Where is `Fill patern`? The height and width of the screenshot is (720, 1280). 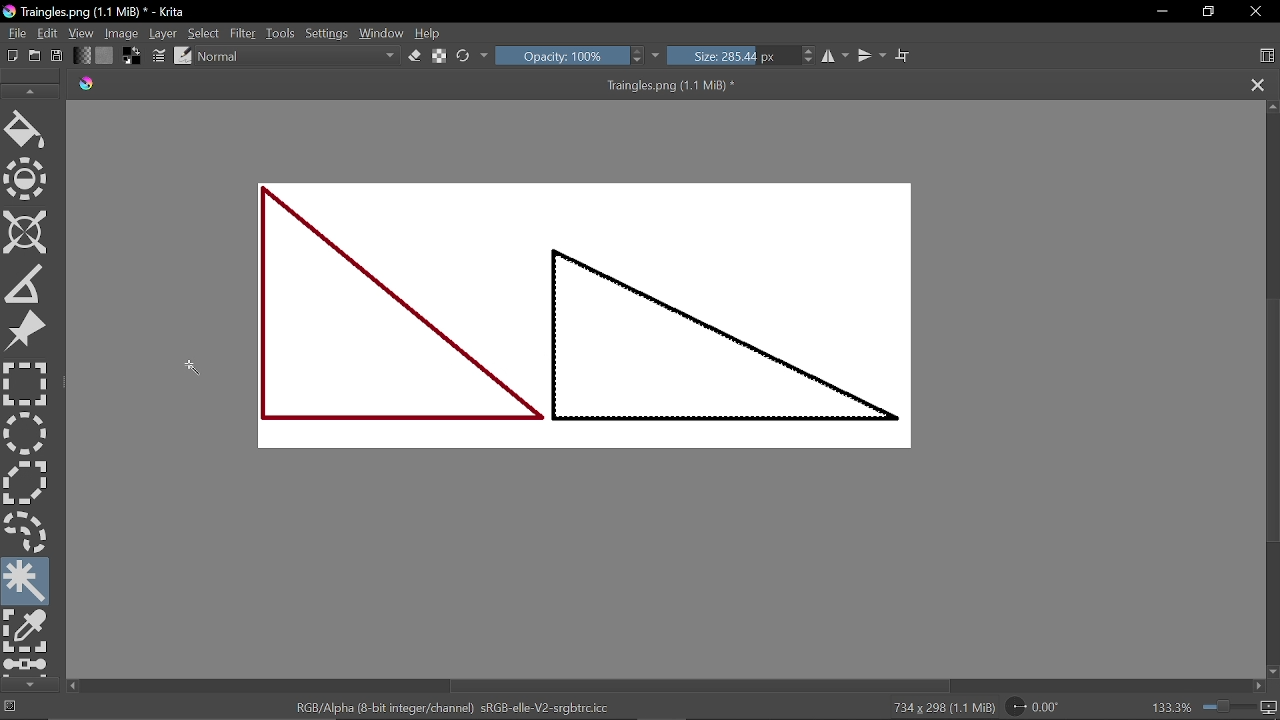 Fill patern is located at coordinates (105, 56).